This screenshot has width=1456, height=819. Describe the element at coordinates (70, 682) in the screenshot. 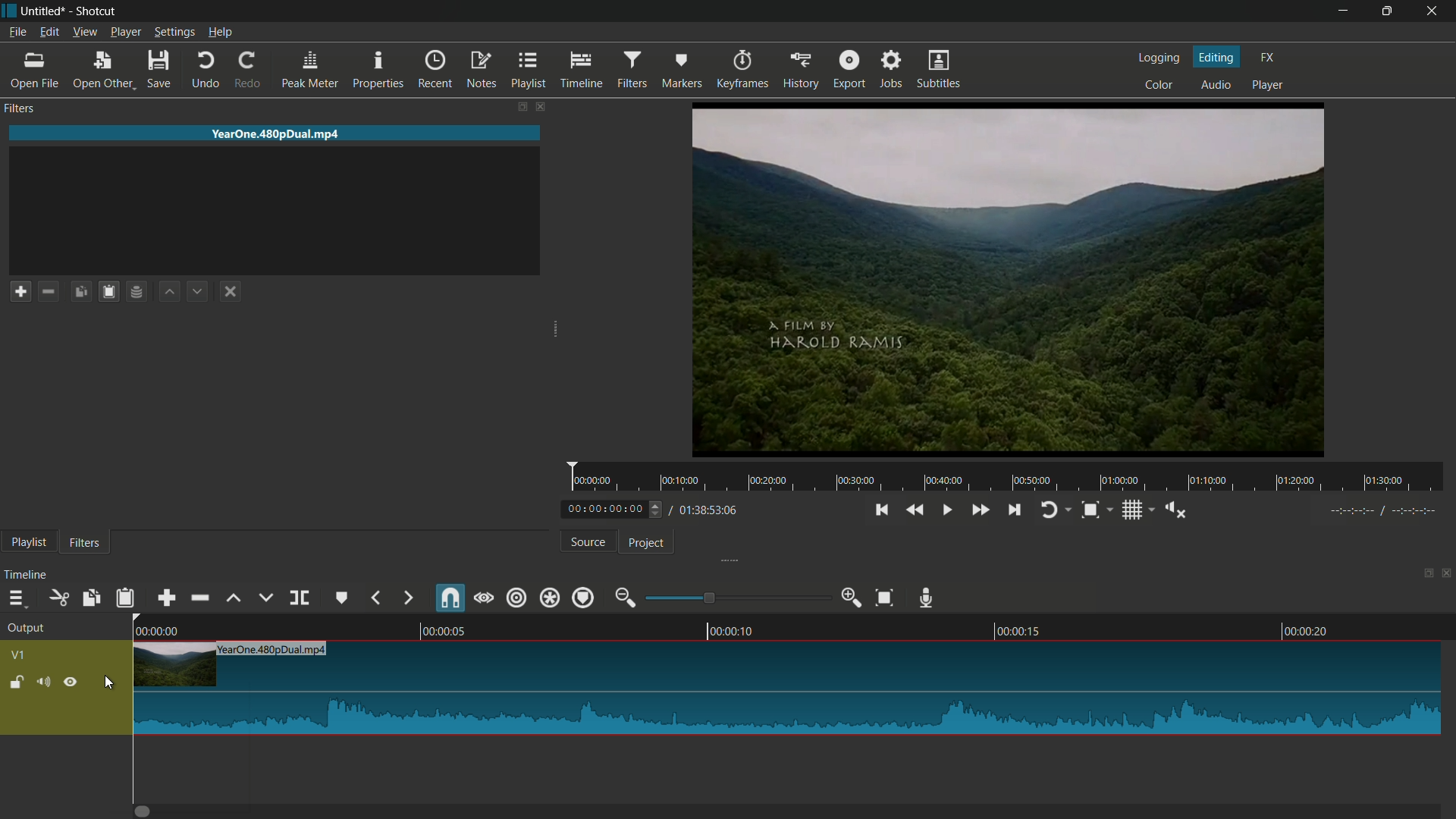

I see `hide` at that location.